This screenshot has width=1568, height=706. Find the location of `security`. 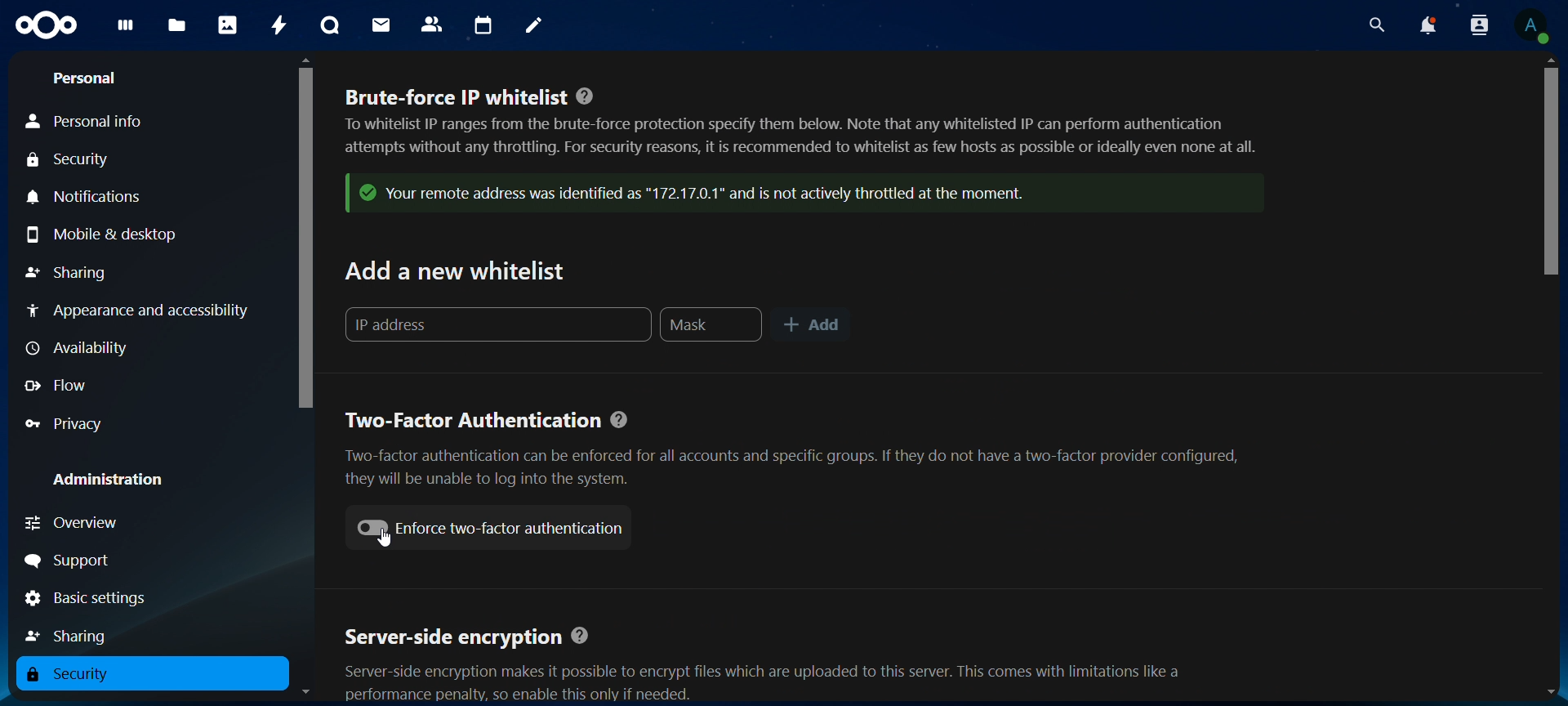

security is located at coordinates (69, 673).